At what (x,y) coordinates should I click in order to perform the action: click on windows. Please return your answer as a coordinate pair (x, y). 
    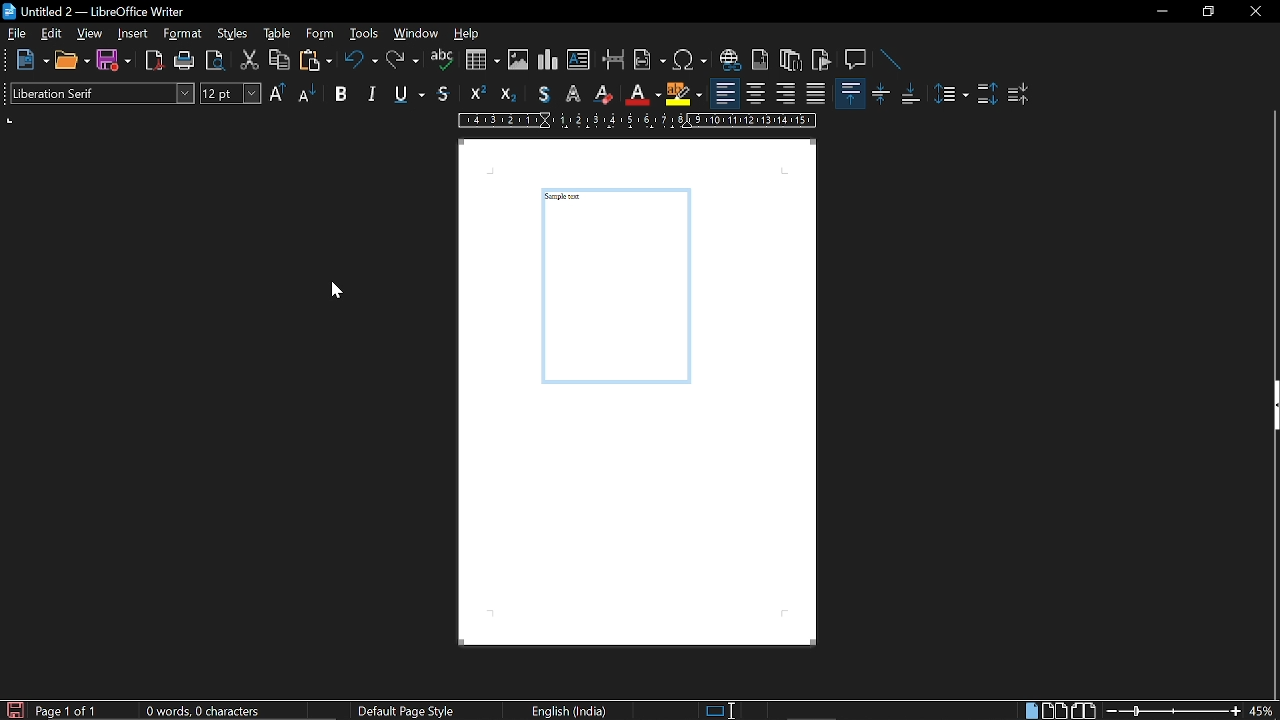
    Looking at the image, I should click on (416, 35).